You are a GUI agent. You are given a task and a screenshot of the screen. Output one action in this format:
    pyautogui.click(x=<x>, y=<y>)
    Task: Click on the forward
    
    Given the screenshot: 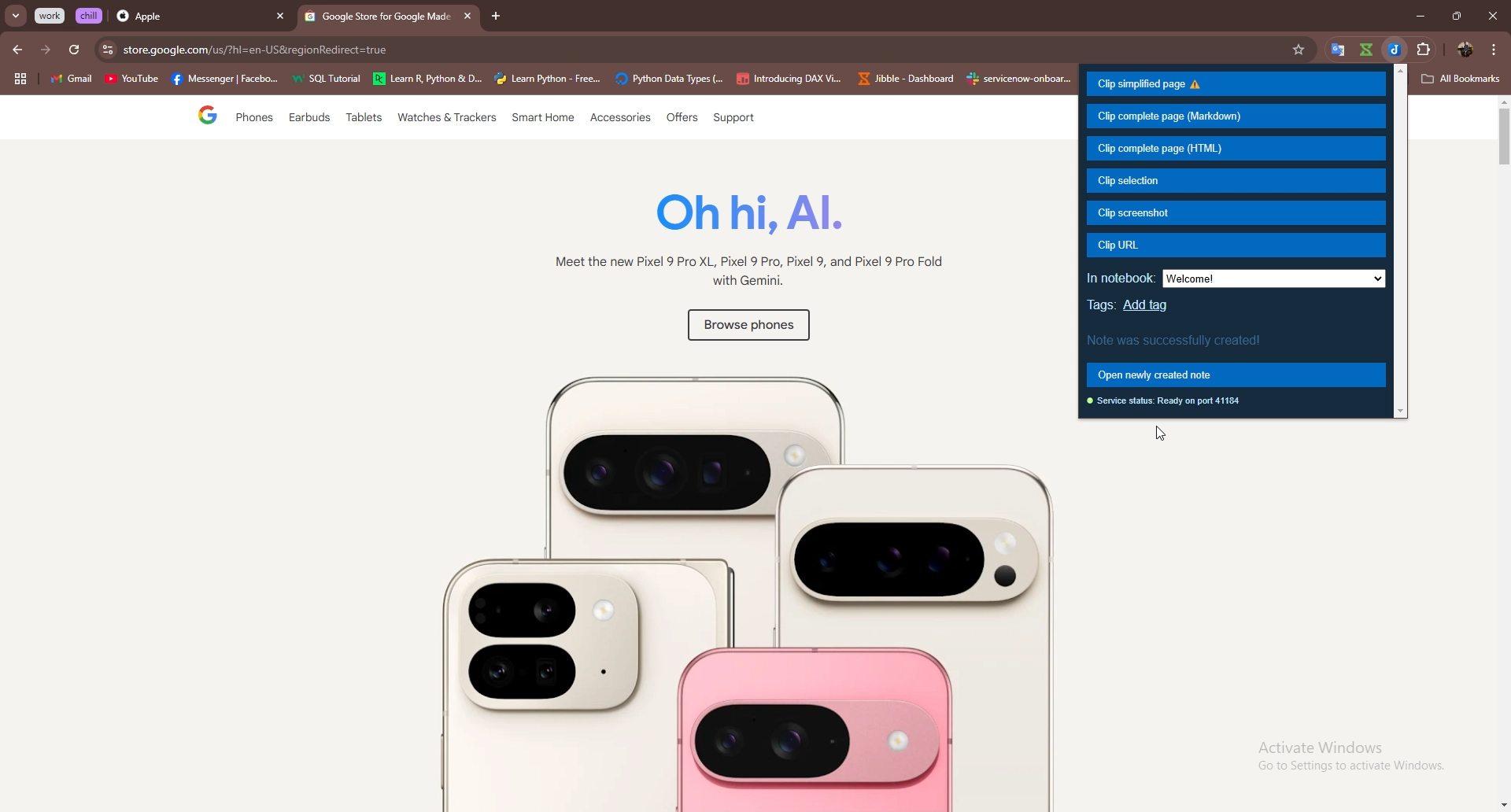 What is the action you would take?
    pyautogui.click(x=46, y=50)
    